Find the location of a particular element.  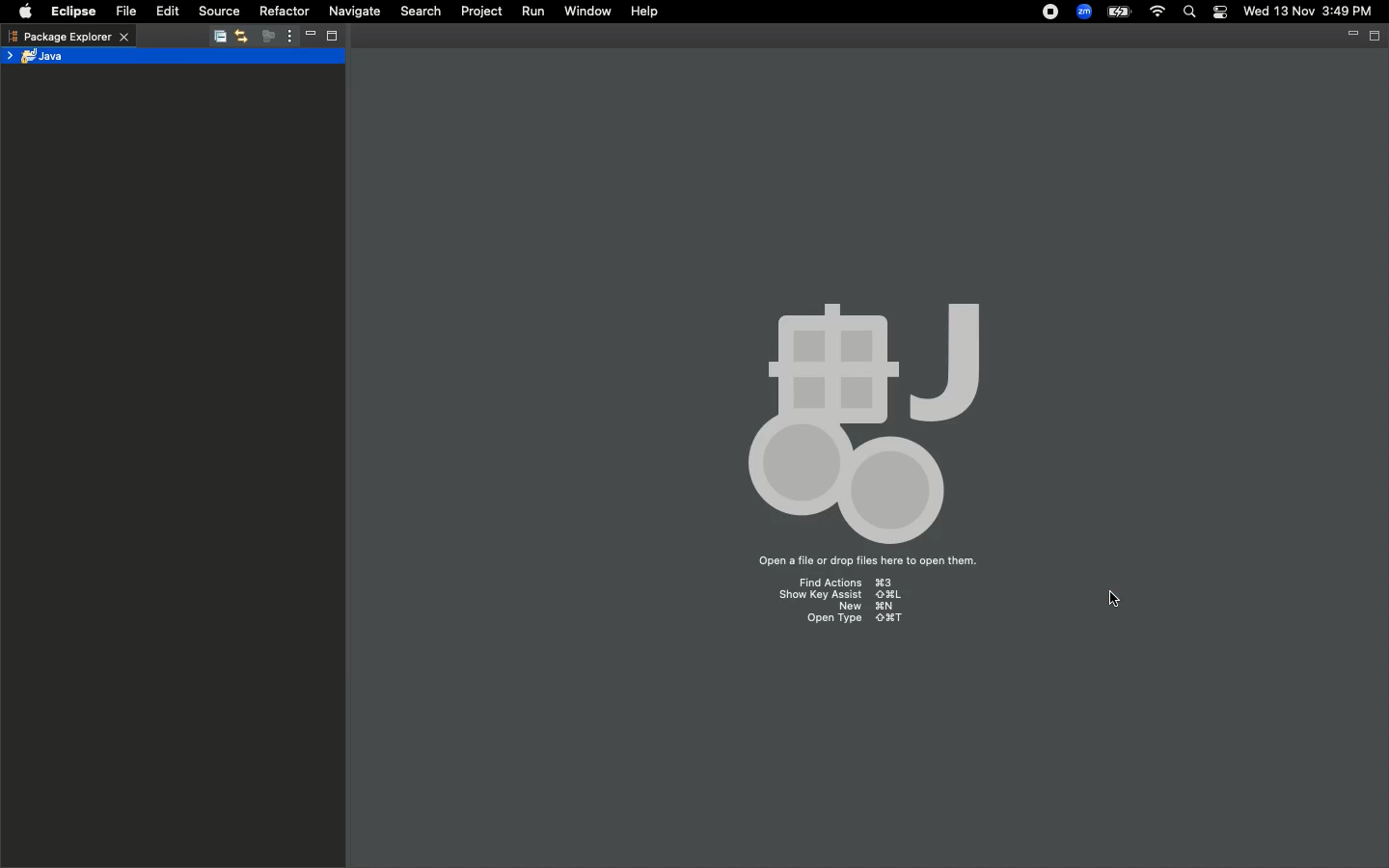

Search is located at coordinates (420, 13).